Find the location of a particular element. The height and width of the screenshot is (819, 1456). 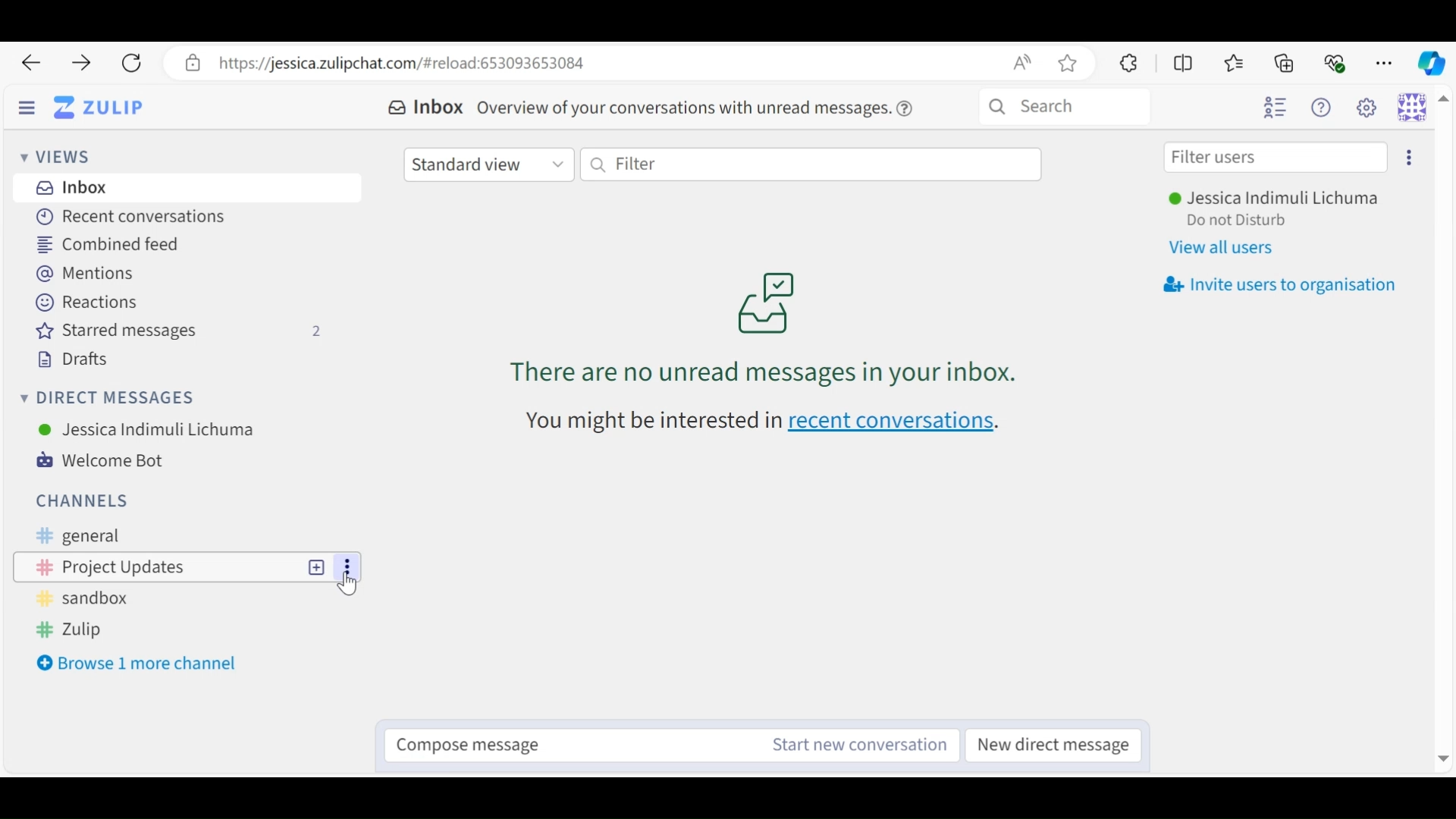

Channel is located at coordinates (186, 630).